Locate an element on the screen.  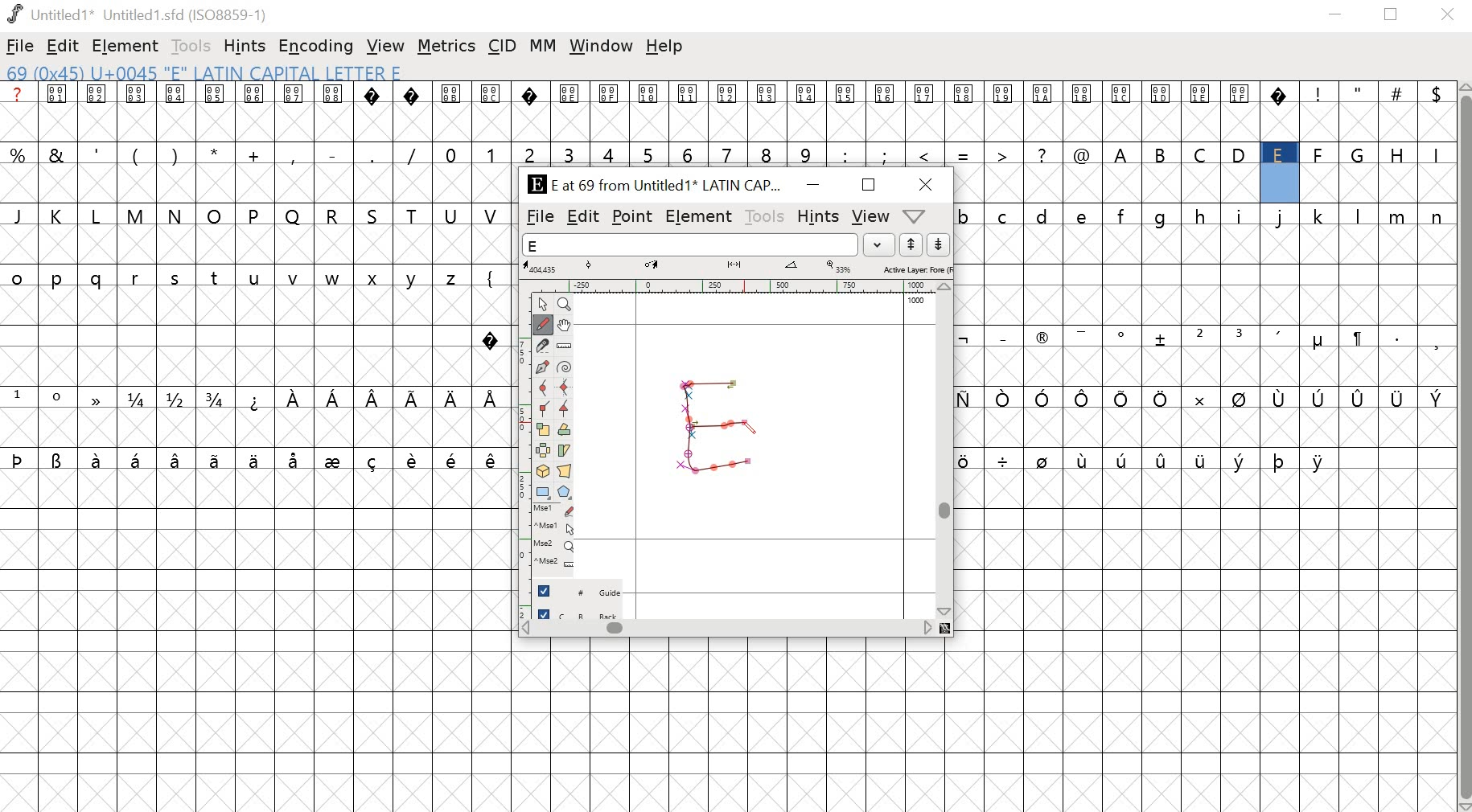
special characters and symbols is located at coordinates (255, 399).